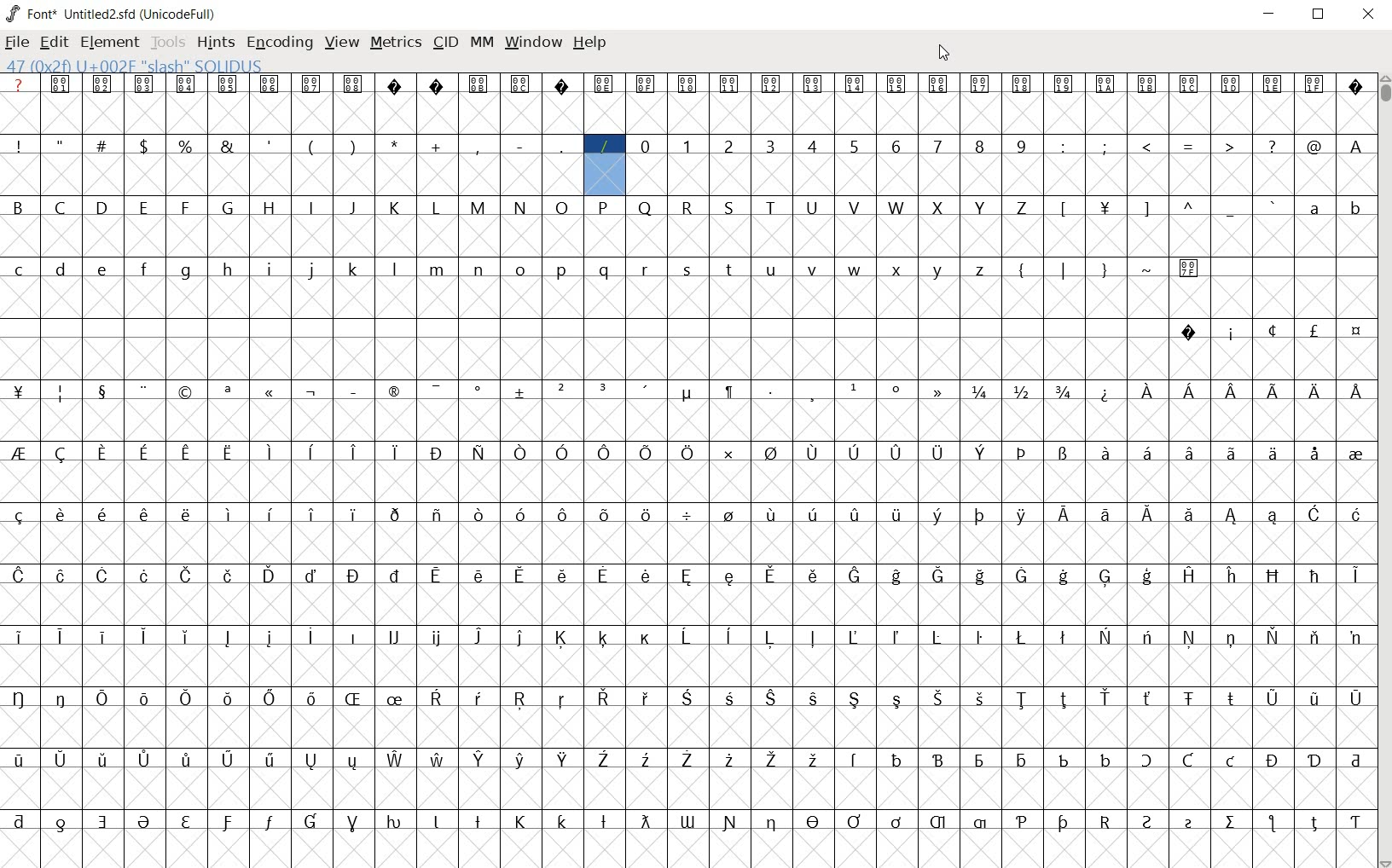 This screenshot has height=868, width=1392. I want to click on glyph, so click(143, 454).